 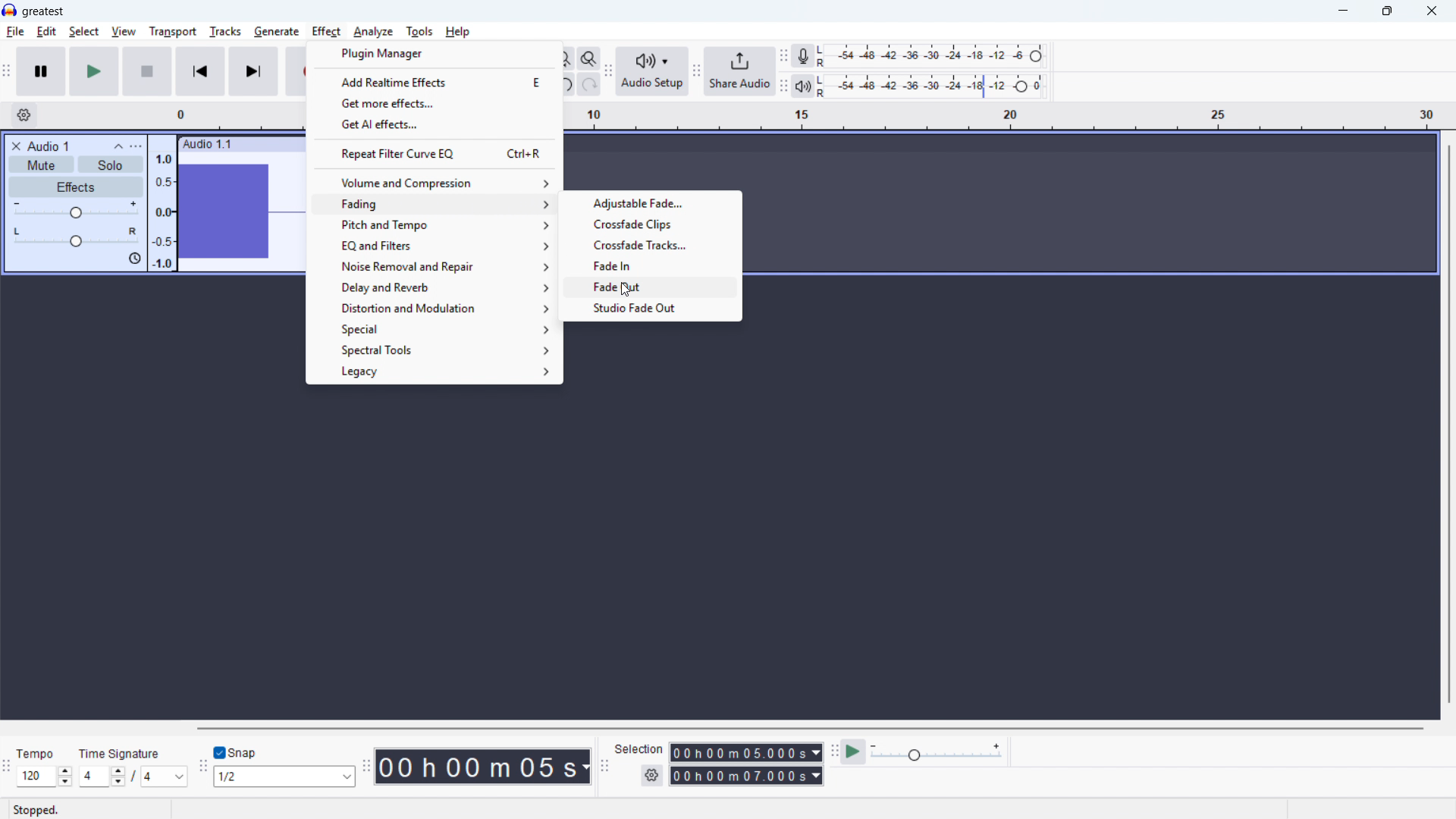 What do you see at coordinates (588, 84) in the screenshot?
I see `Redo ` at bounding box center [588, 84].